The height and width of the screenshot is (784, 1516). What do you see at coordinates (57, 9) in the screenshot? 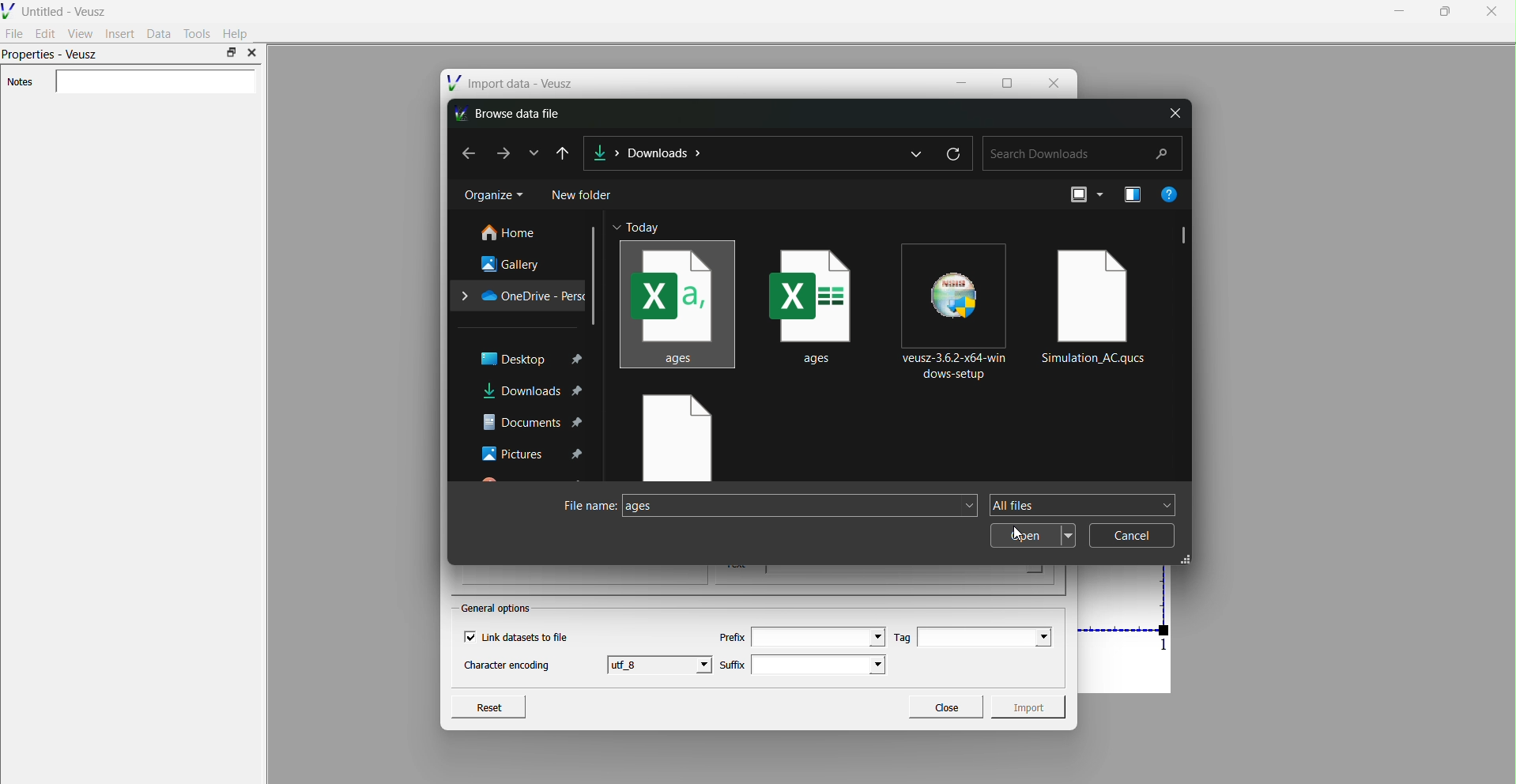
I see `Untitled - Veusz` at bounding box center [57, 9].